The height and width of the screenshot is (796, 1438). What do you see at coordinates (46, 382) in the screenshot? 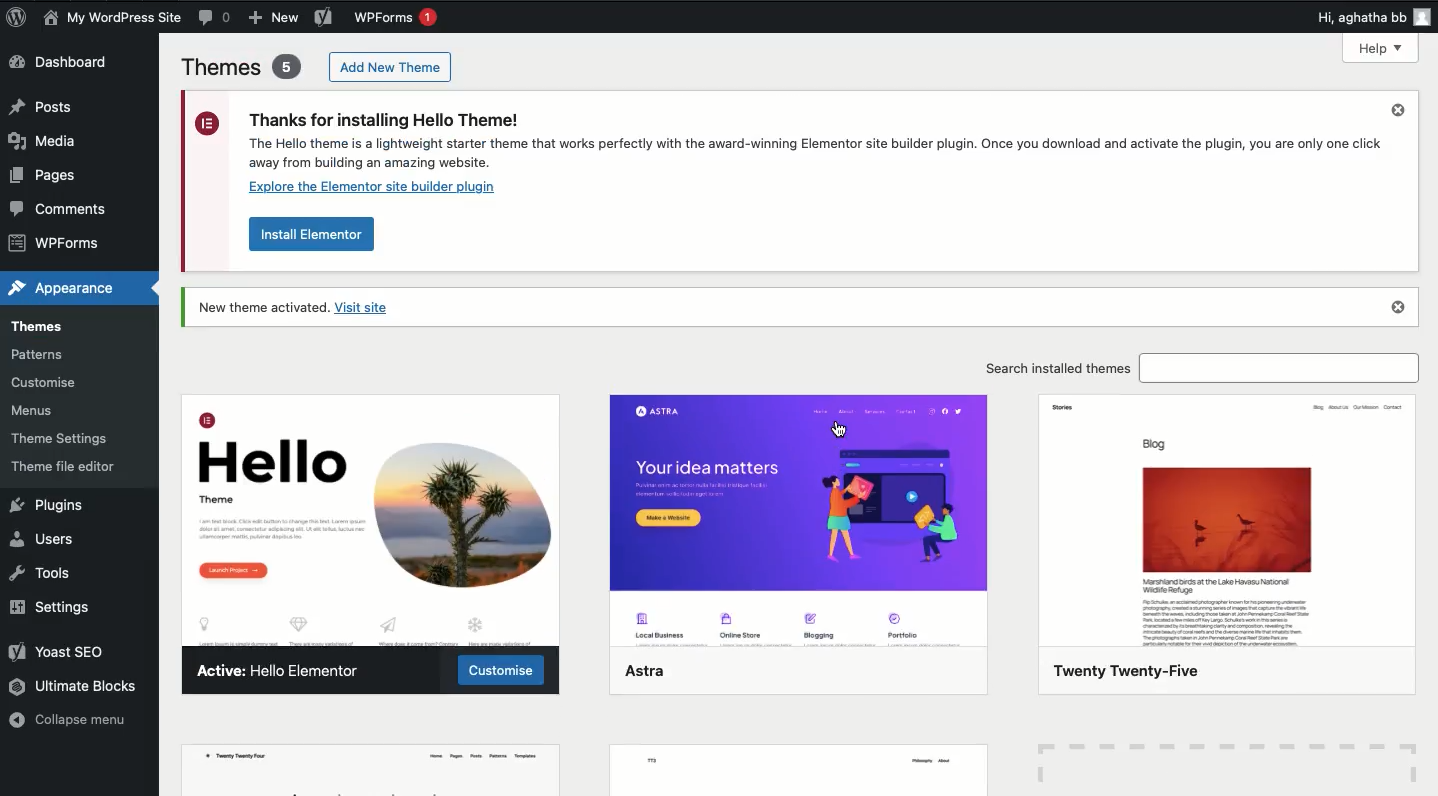
I see `Customise` at bounding box center [46, 382].